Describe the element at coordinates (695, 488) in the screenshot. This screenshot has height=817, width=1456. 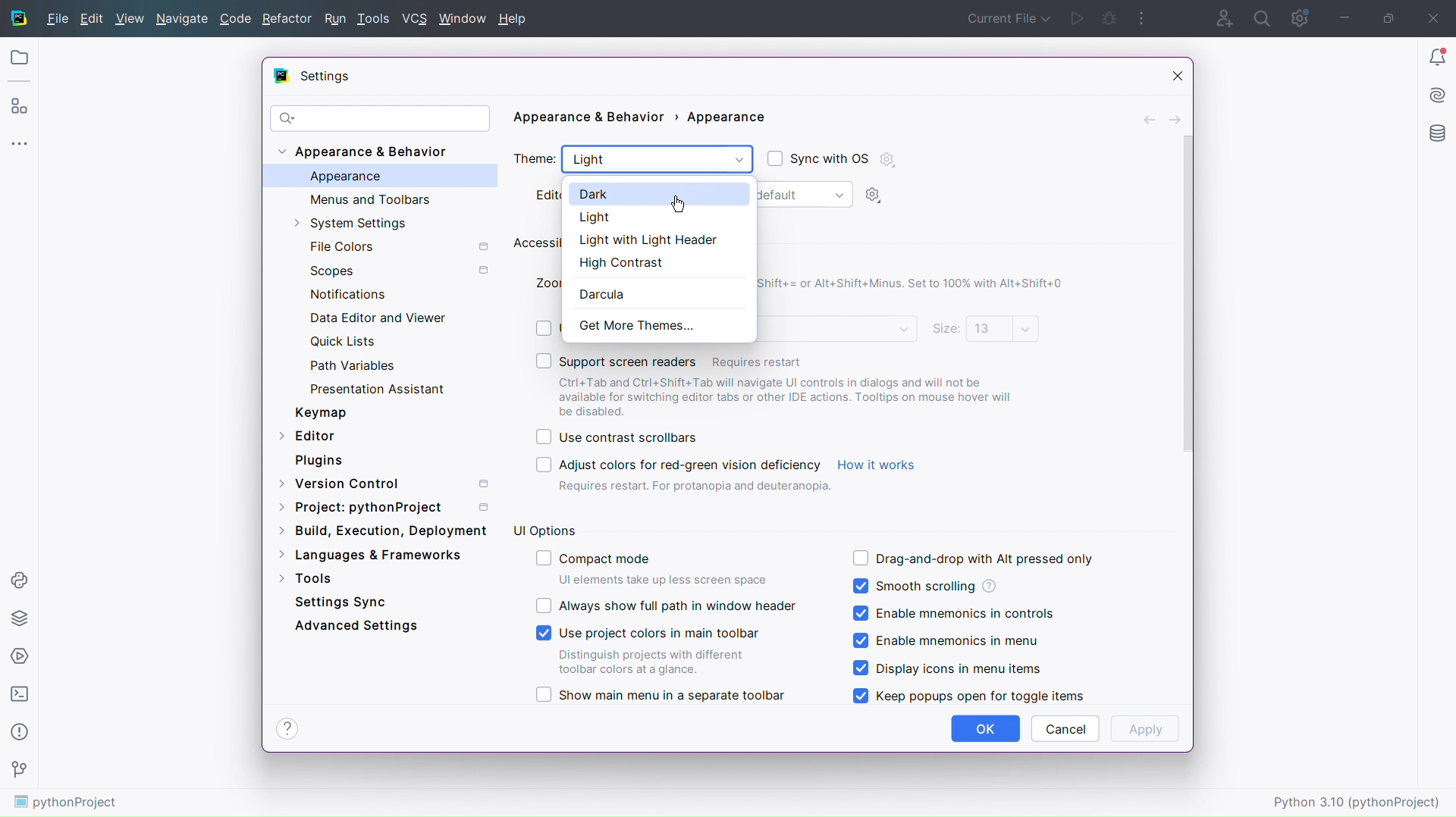
I see `Requires restart. For protanopia and deuteranopia.` at that location.